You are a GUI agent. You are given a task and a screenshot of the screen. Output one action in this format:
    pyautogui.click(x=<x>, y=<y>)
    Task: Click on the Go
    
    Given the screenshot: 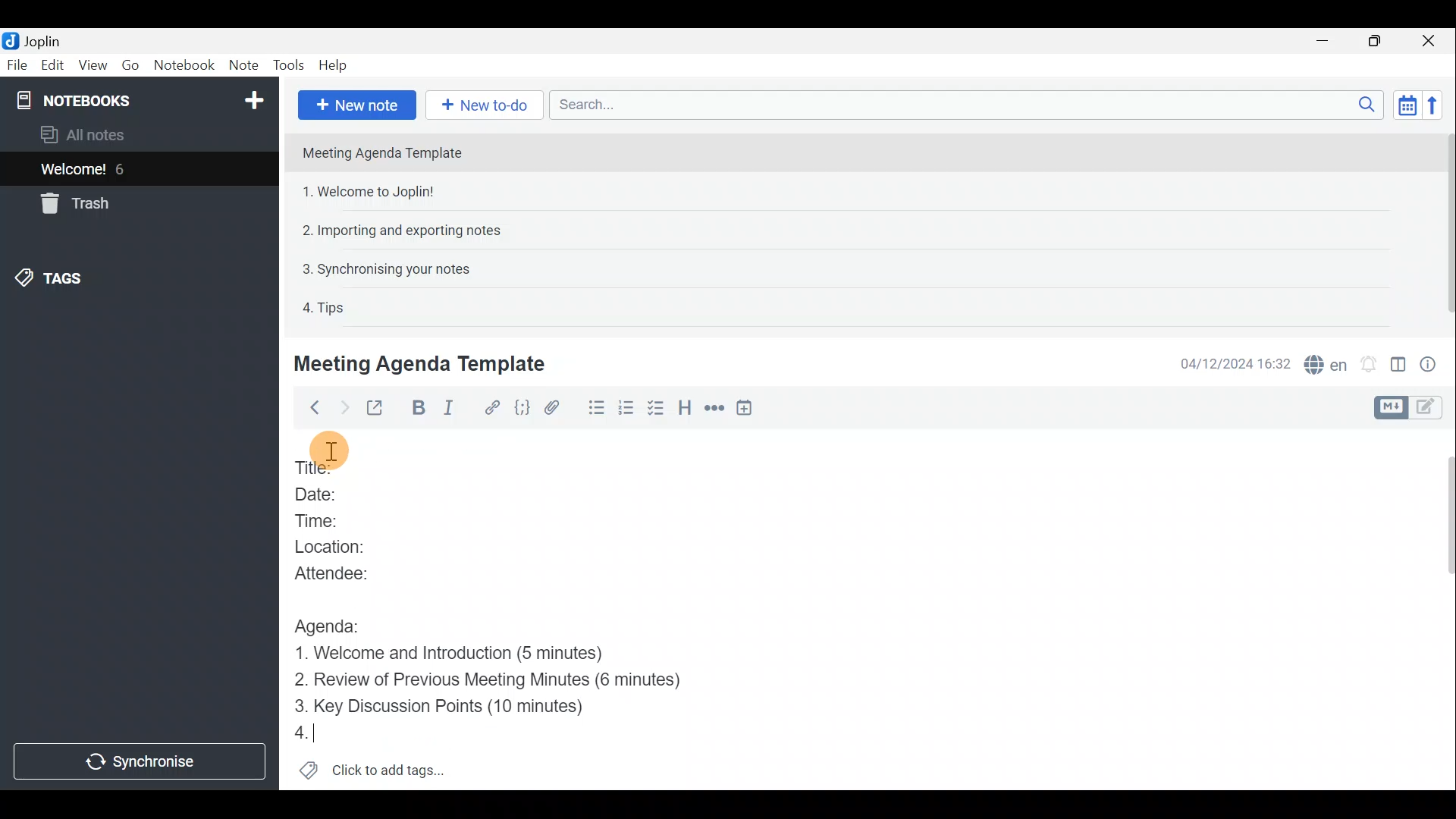 What is the action you would take?
    pyautogui.click(x=130, y=64)
    